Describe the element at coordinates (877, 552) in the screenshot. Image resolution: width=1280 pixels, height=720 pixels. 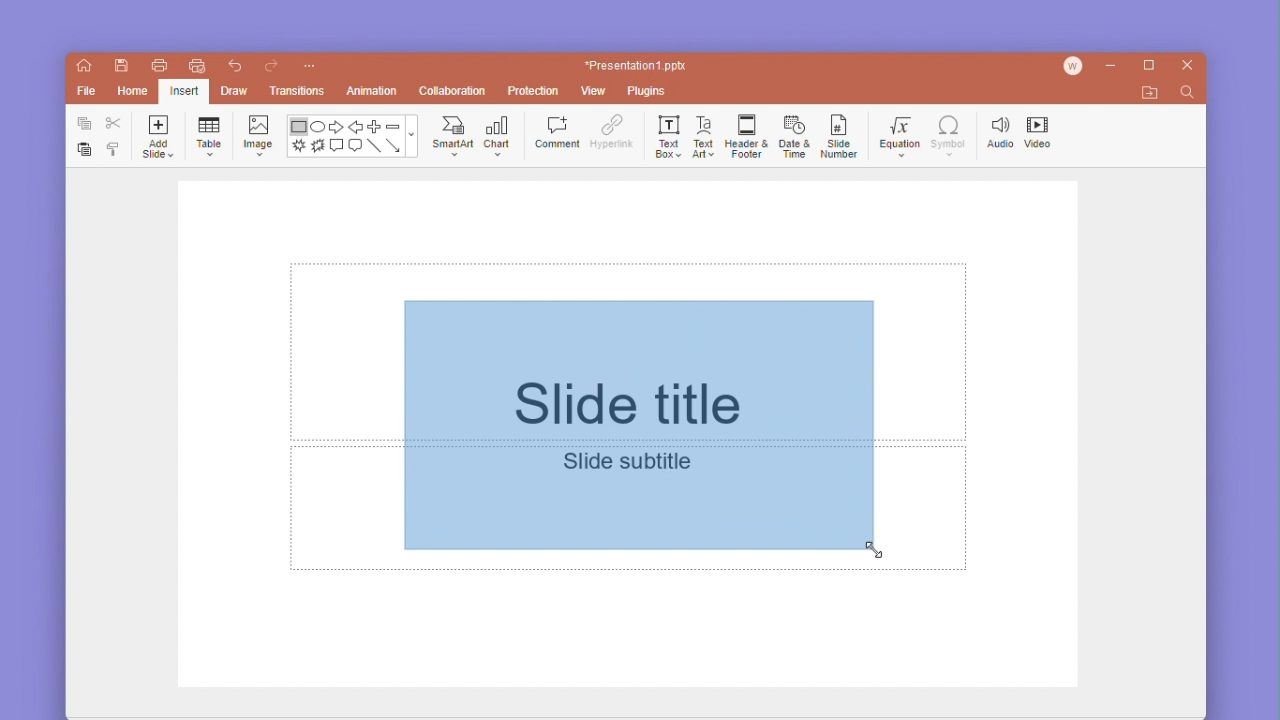
I see `cursor` at that location.